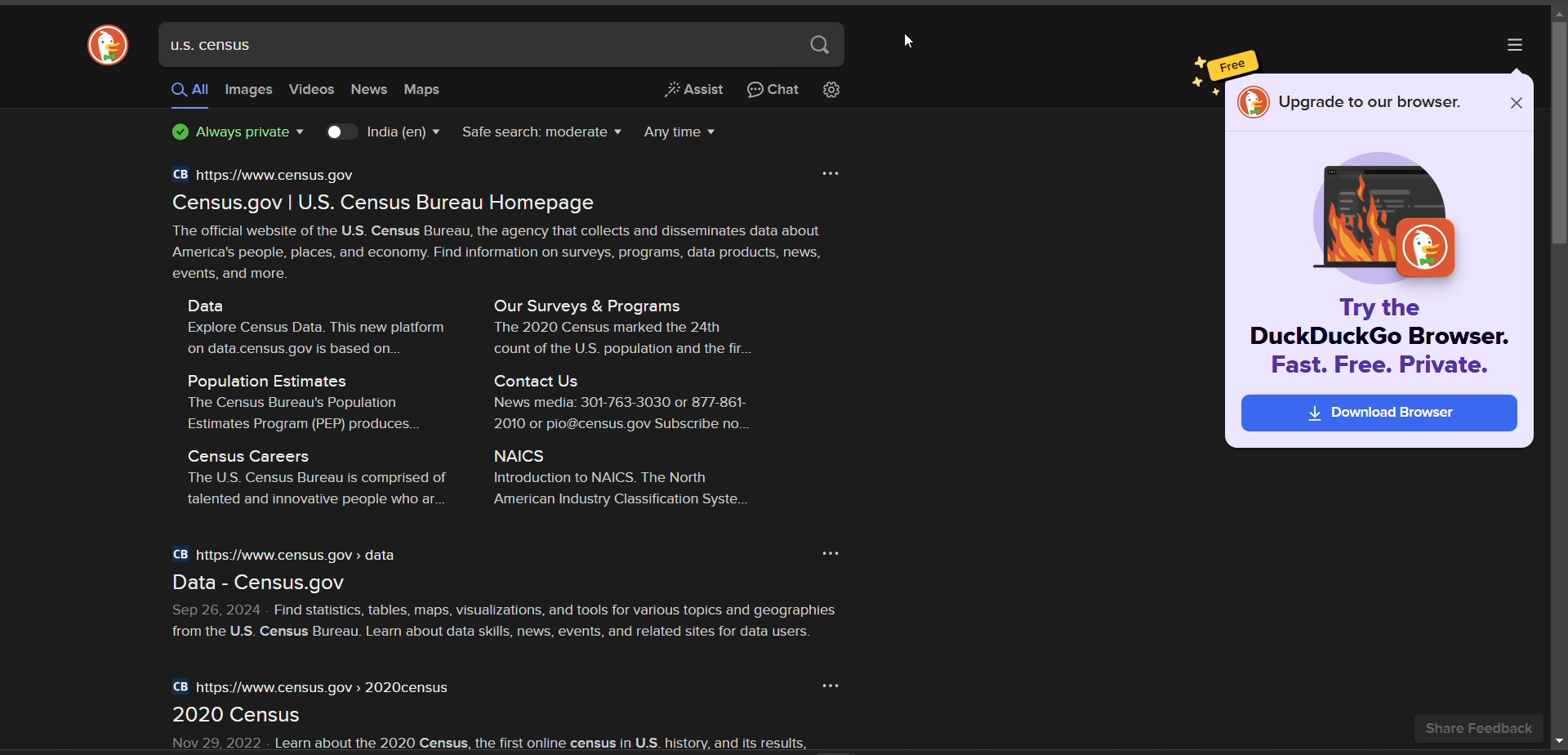  Describe the element at coordinates (267, 173) in the screenshot. I see `census.gov url` at that location.